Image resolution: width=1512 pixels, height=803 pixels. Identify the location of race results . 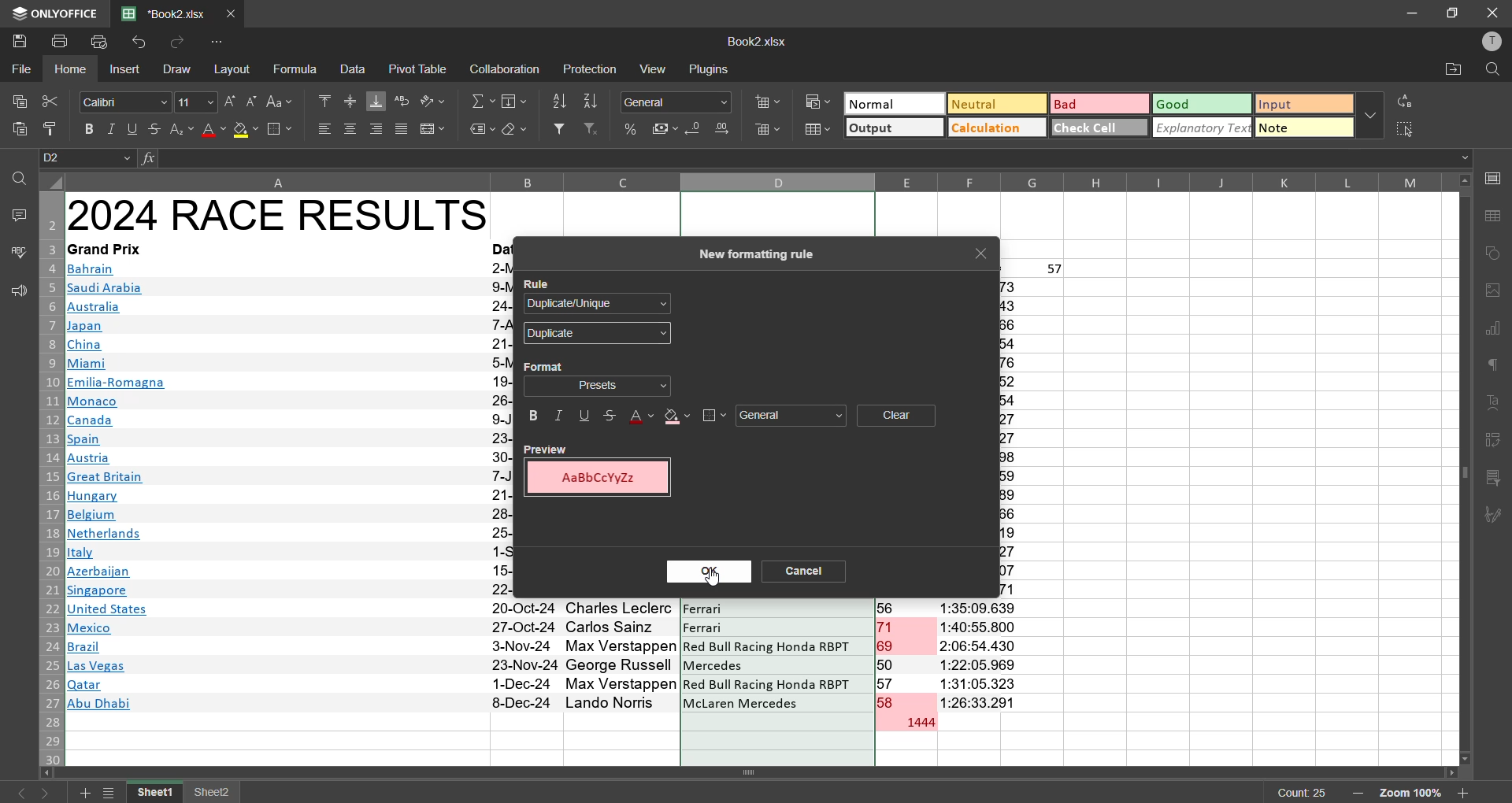
(278, 214).